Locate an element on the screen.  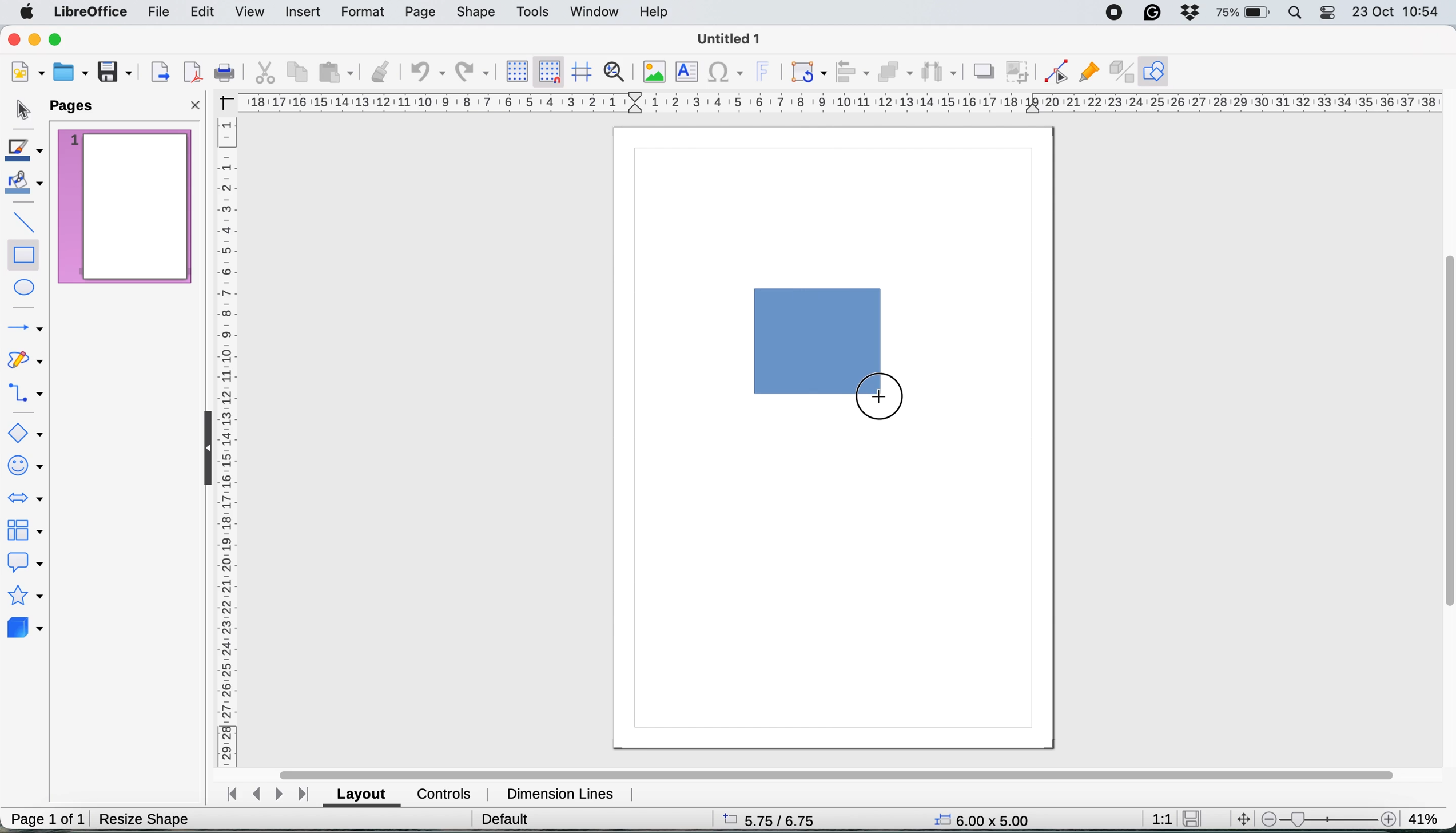
insert line is located at coordinates (21, 220).